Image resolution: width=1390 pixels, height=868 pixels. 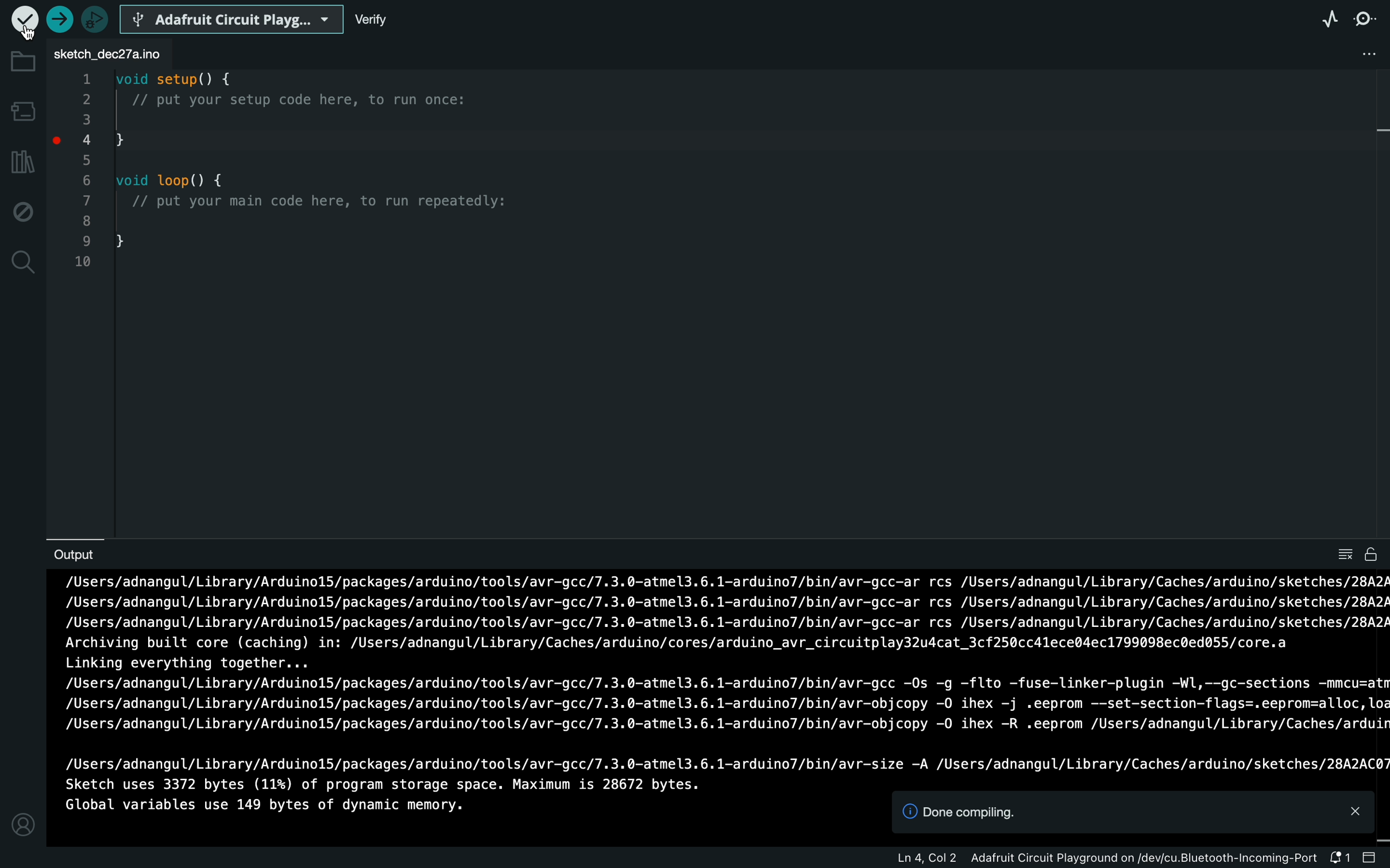 What do you see at coordinates (1357, 555) in the screenshot?
I see `clear` at bounding box center [1357, 555].